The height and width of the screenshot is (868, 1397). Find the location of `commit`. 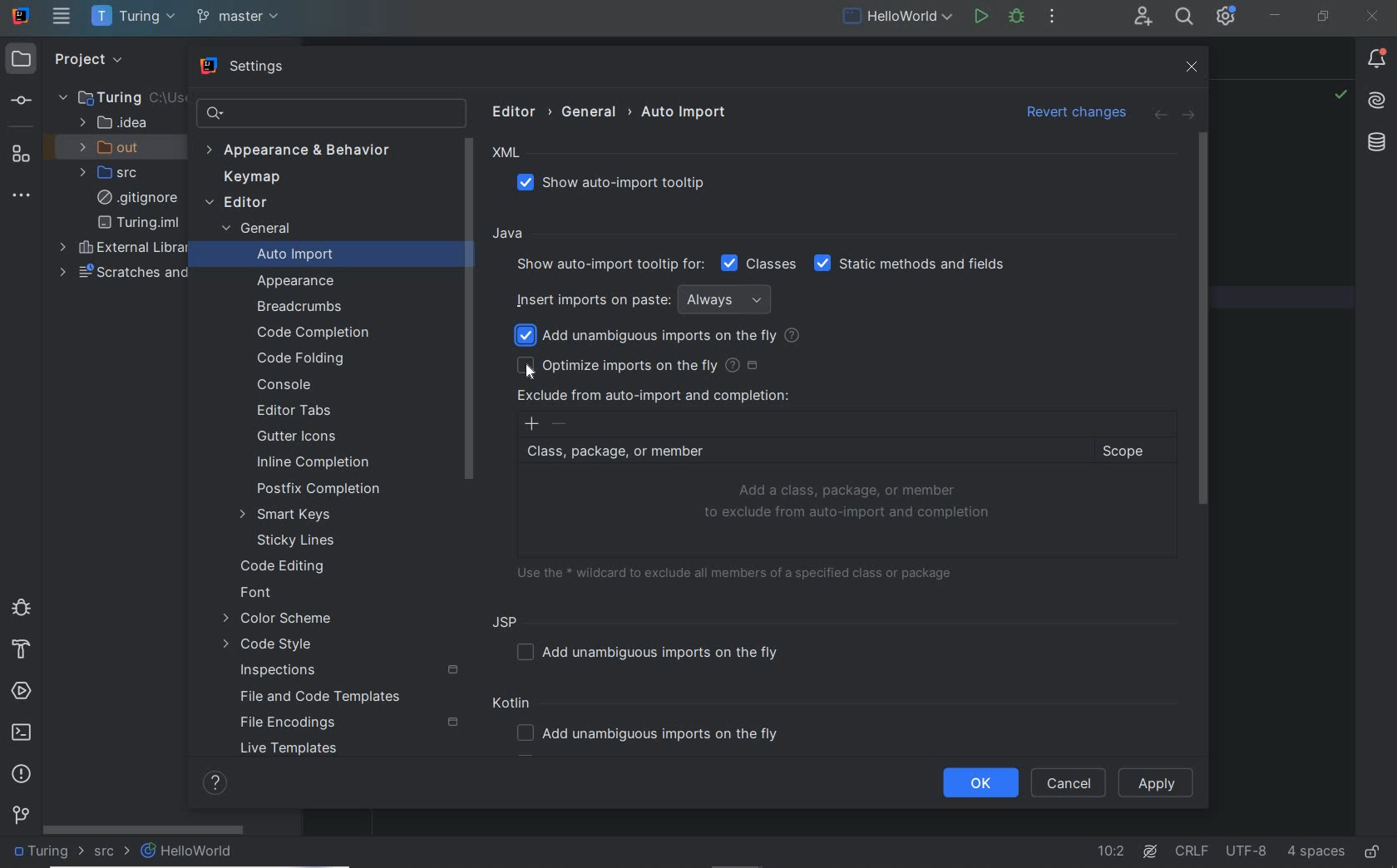

commit is located at coordinates (20, 102).